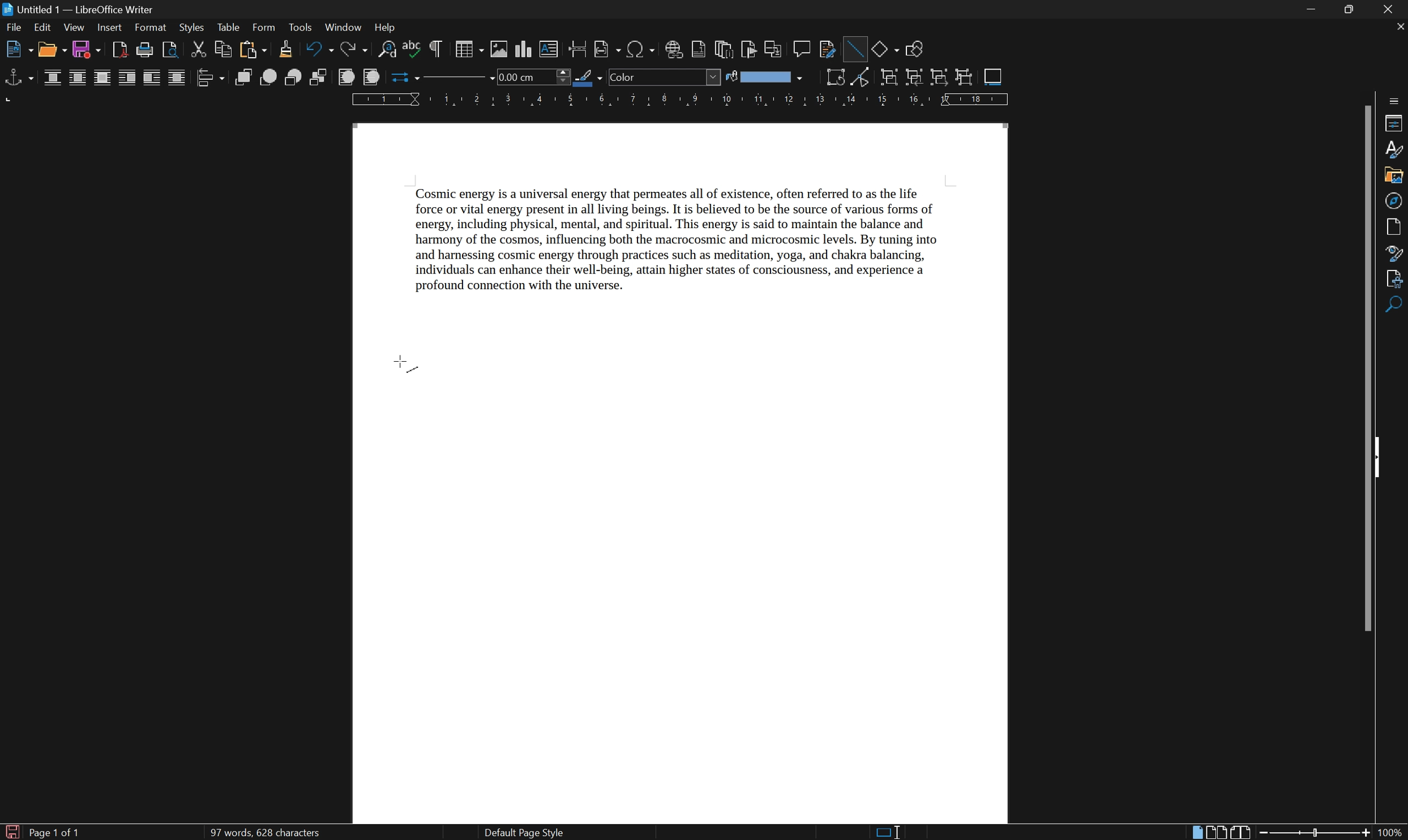 The image size is (1408, 840). I want to click on none, so click(54, 78).